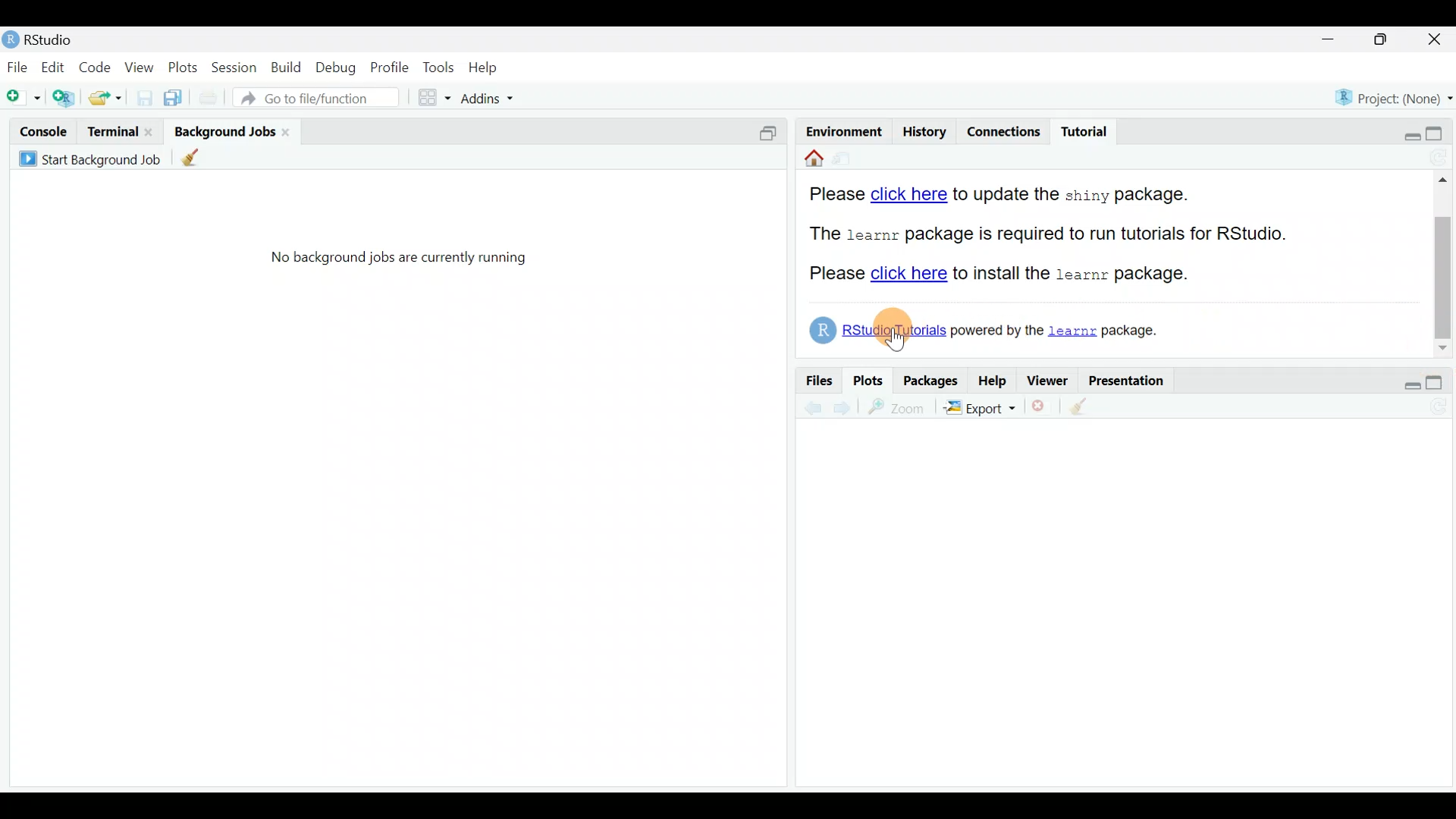 This screenshot has width=1456, height=819. What do you see at coordinates (992, 380) in the screenshot?
I see `Help` at bounding box center [992, 380].